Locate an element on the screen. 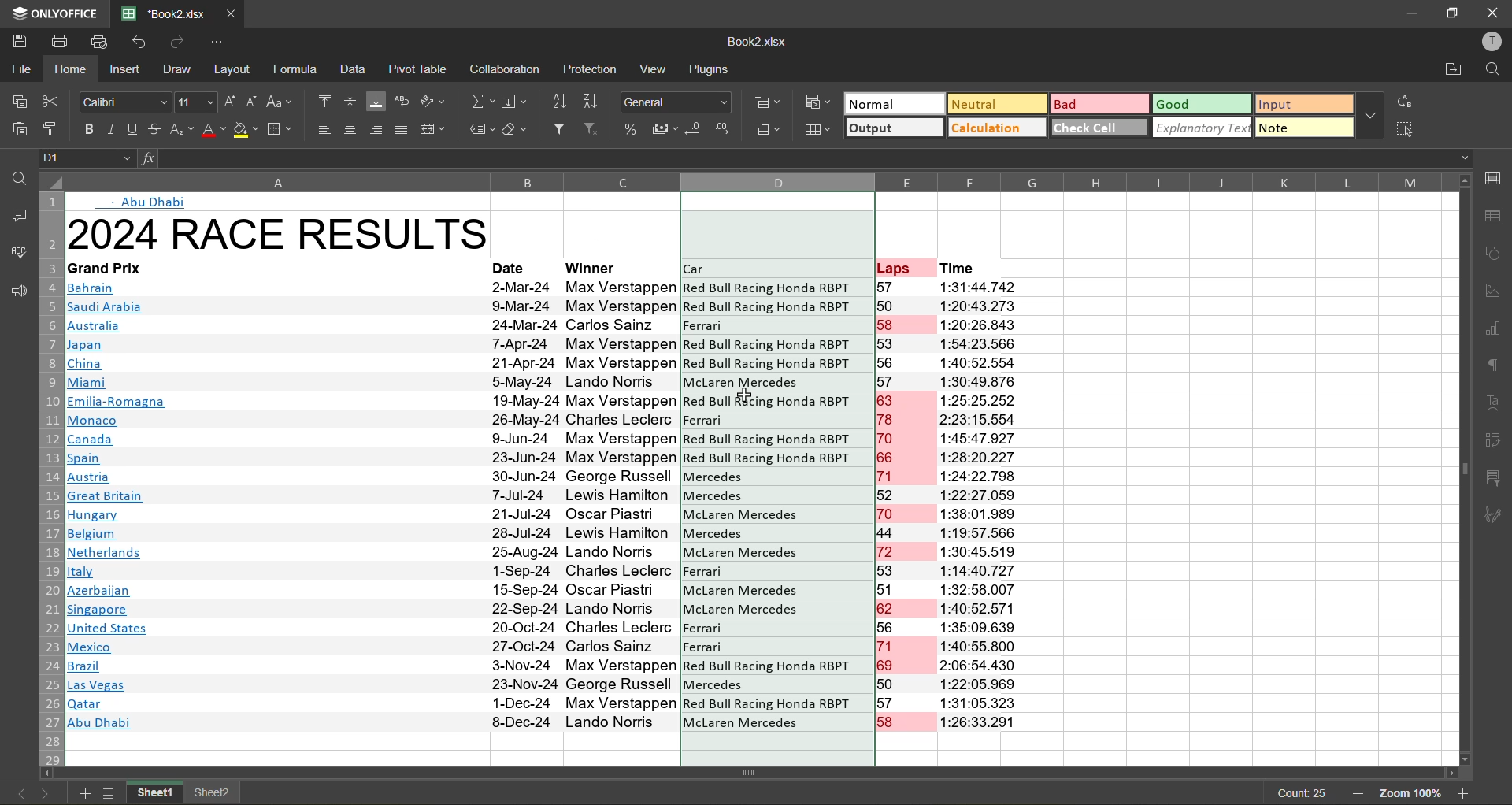  plugins is located at coordinates (709, 69).